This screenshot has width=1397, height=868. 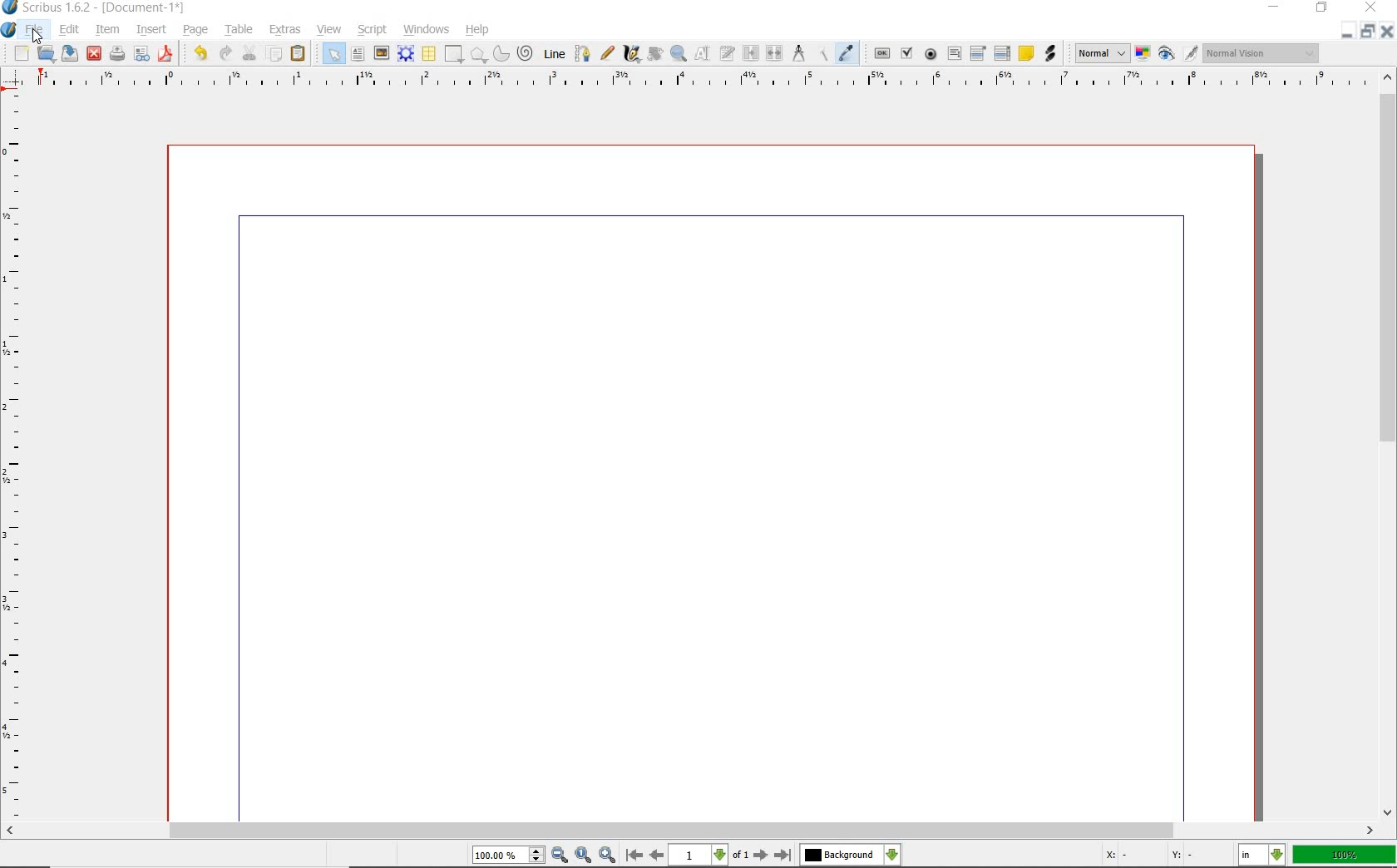 I want to click on visual appearance of the display, so click(x=1262, y=52).